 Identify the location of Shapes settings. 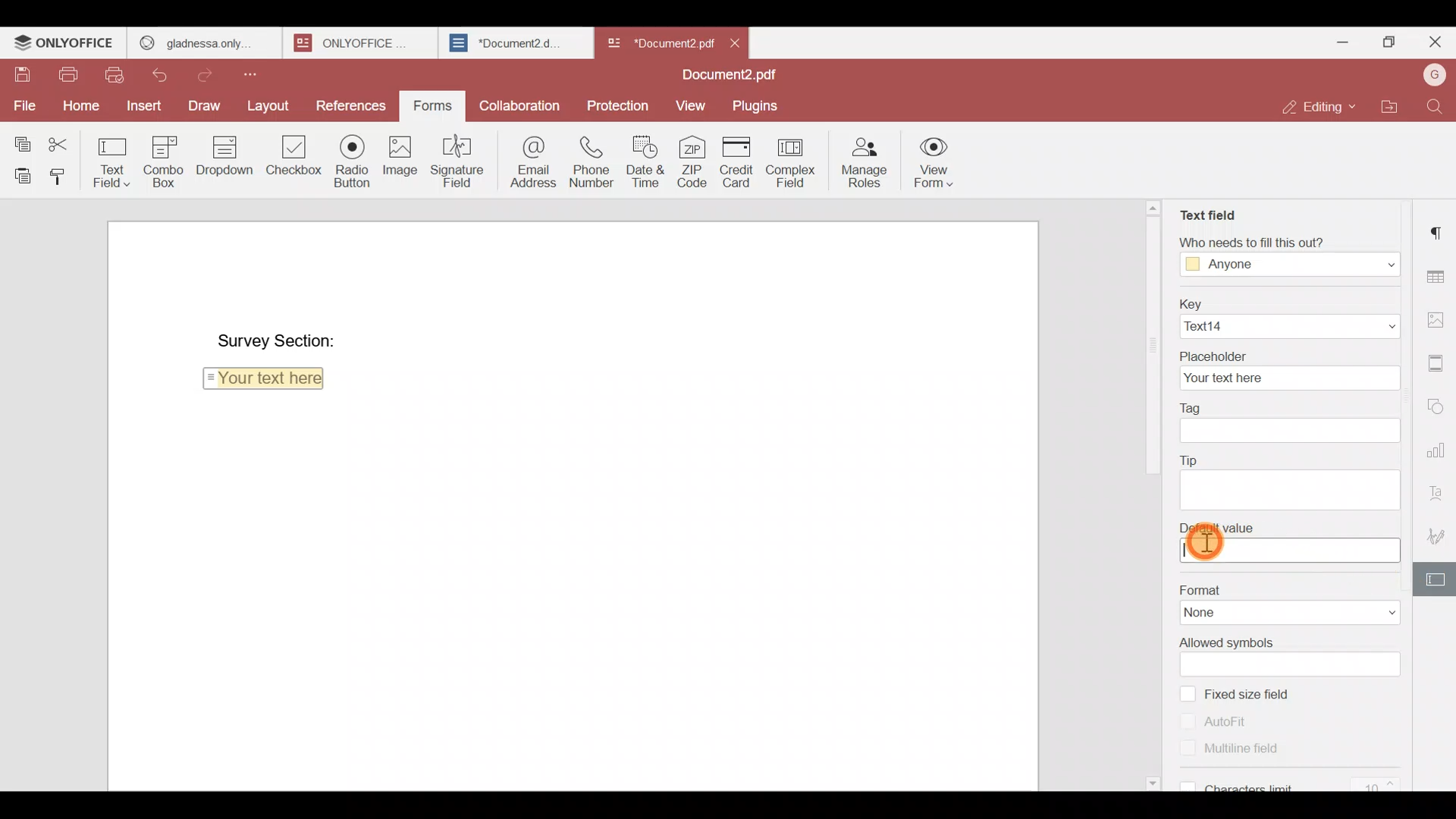
(1439, 406).